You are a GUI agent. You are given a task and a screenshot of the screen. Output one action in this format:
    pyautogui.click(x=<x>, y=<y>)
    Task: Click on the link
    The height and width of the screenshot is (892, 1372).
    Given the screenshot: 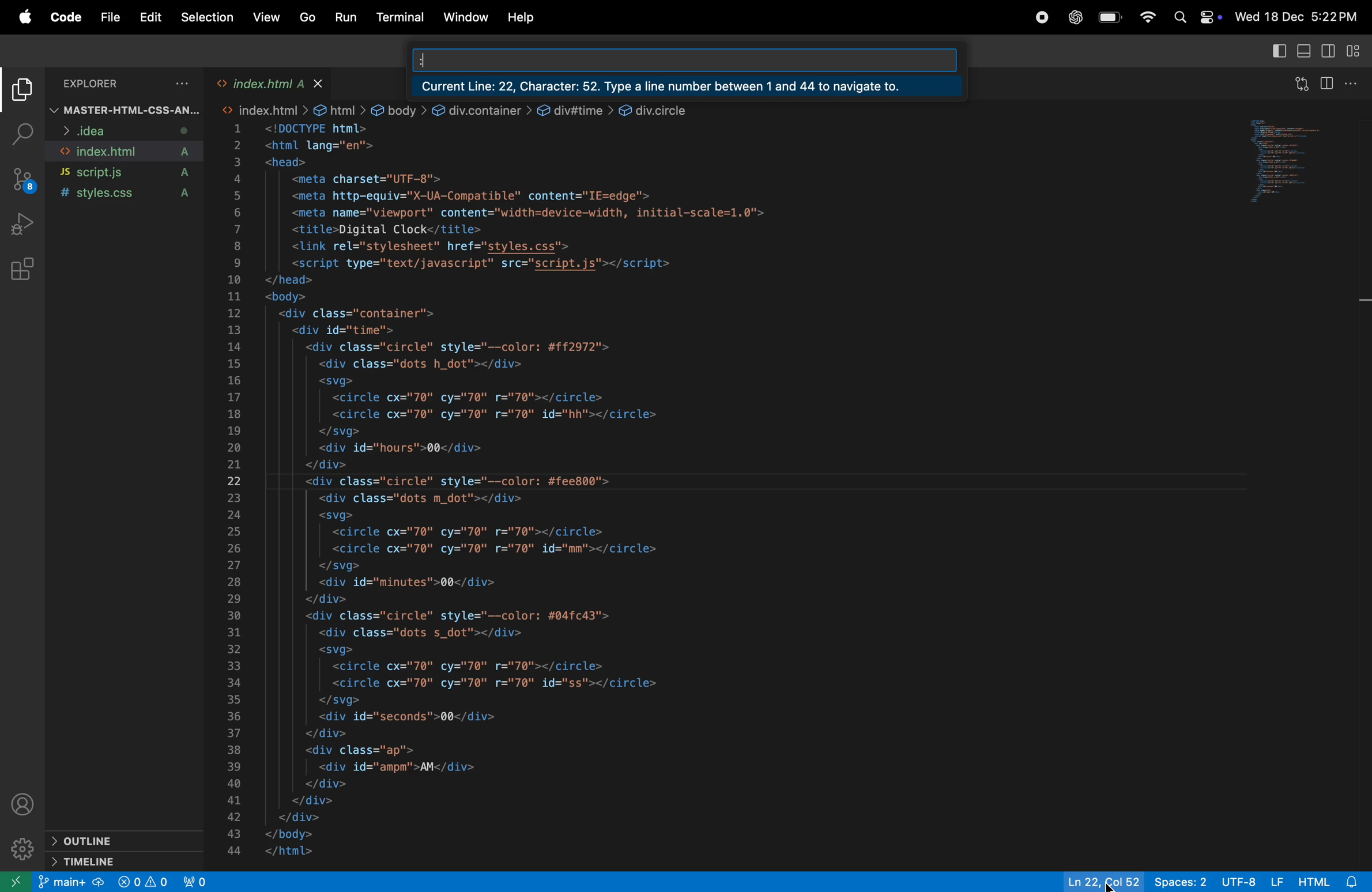 What is the action you would take?
    pyautogui.click(x=400, y=108)
    